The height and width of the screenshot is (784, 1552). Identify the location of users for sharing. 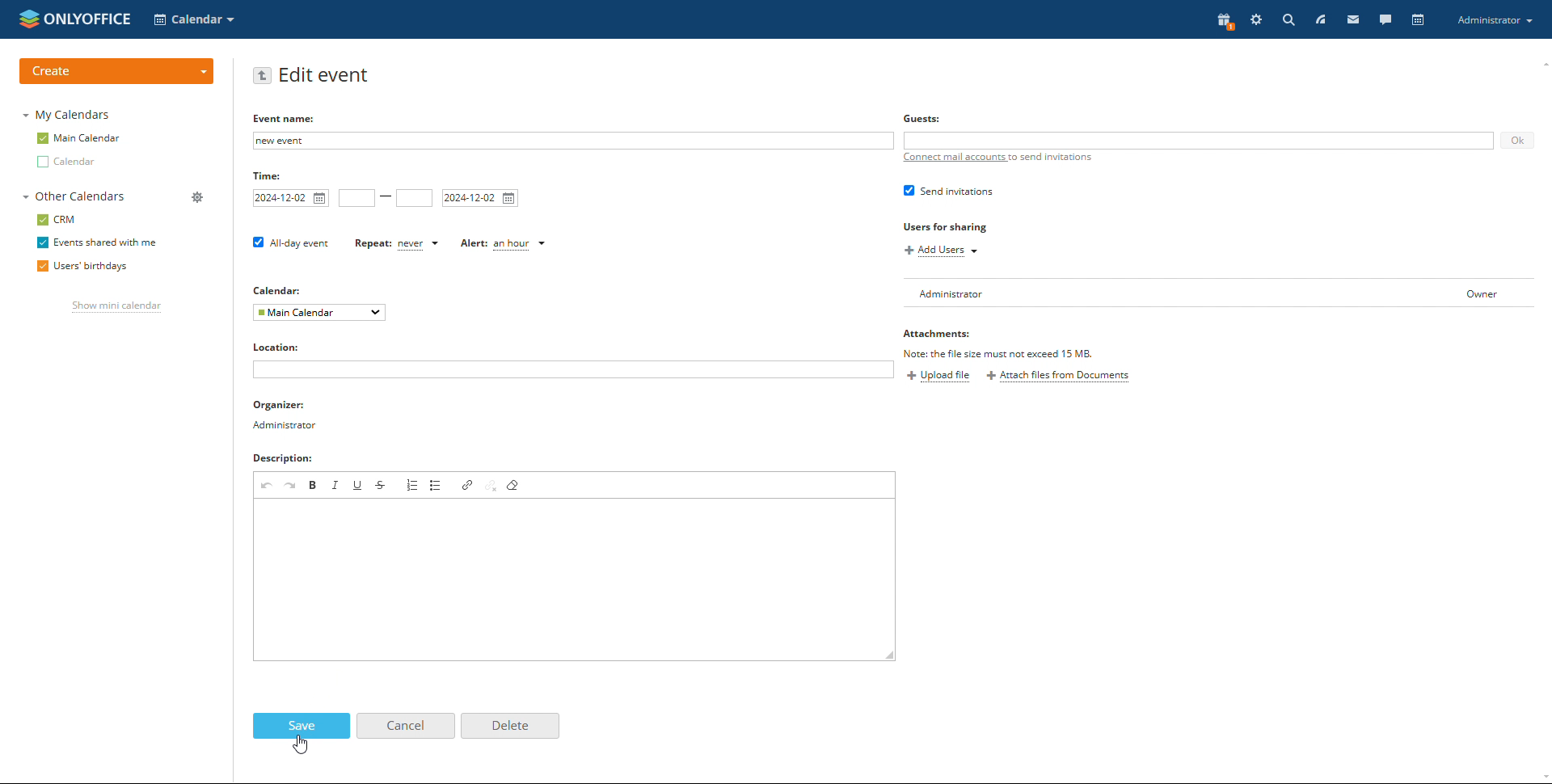
(951, 228).